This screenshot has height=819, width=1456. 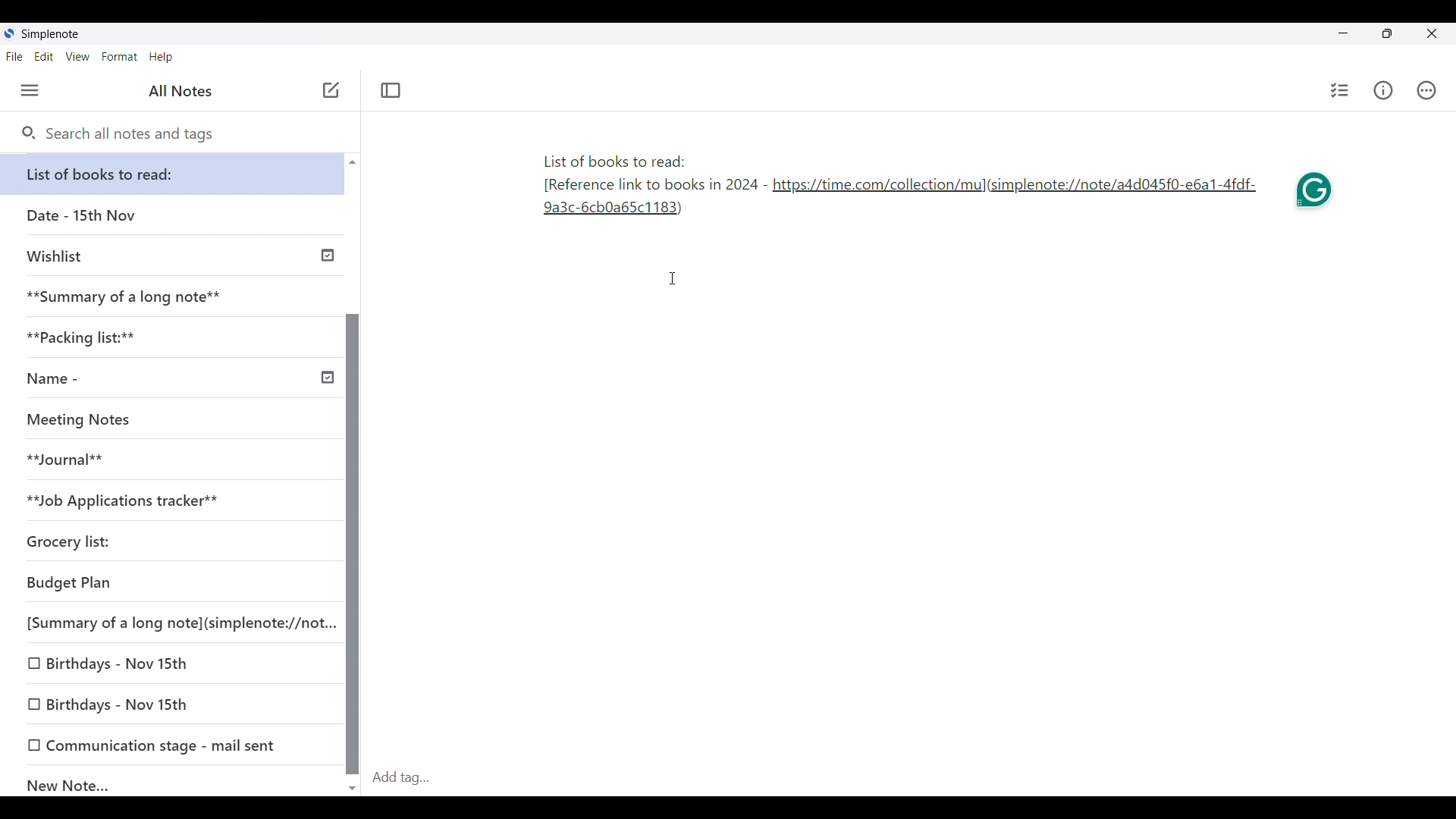 I want to click on Add tag..., so click(x=410, y=777).